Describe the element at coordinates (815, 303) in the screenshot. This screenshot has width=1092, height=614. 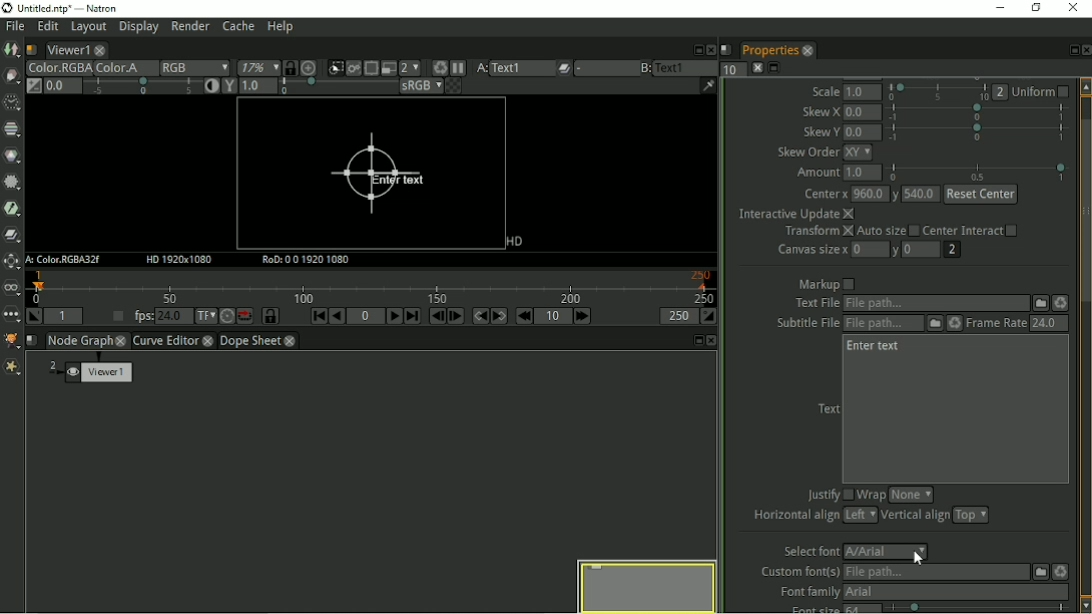
I see `text file` at that location.